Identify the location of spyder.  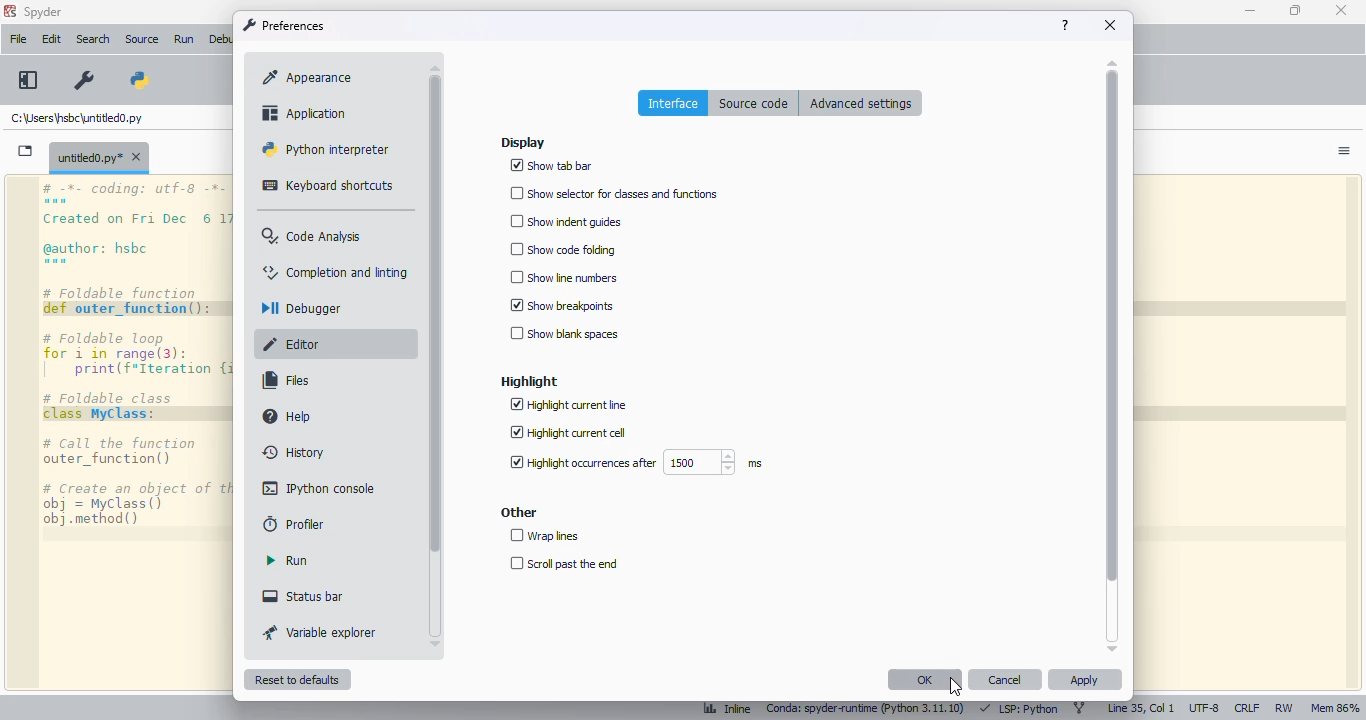
(43, 12).